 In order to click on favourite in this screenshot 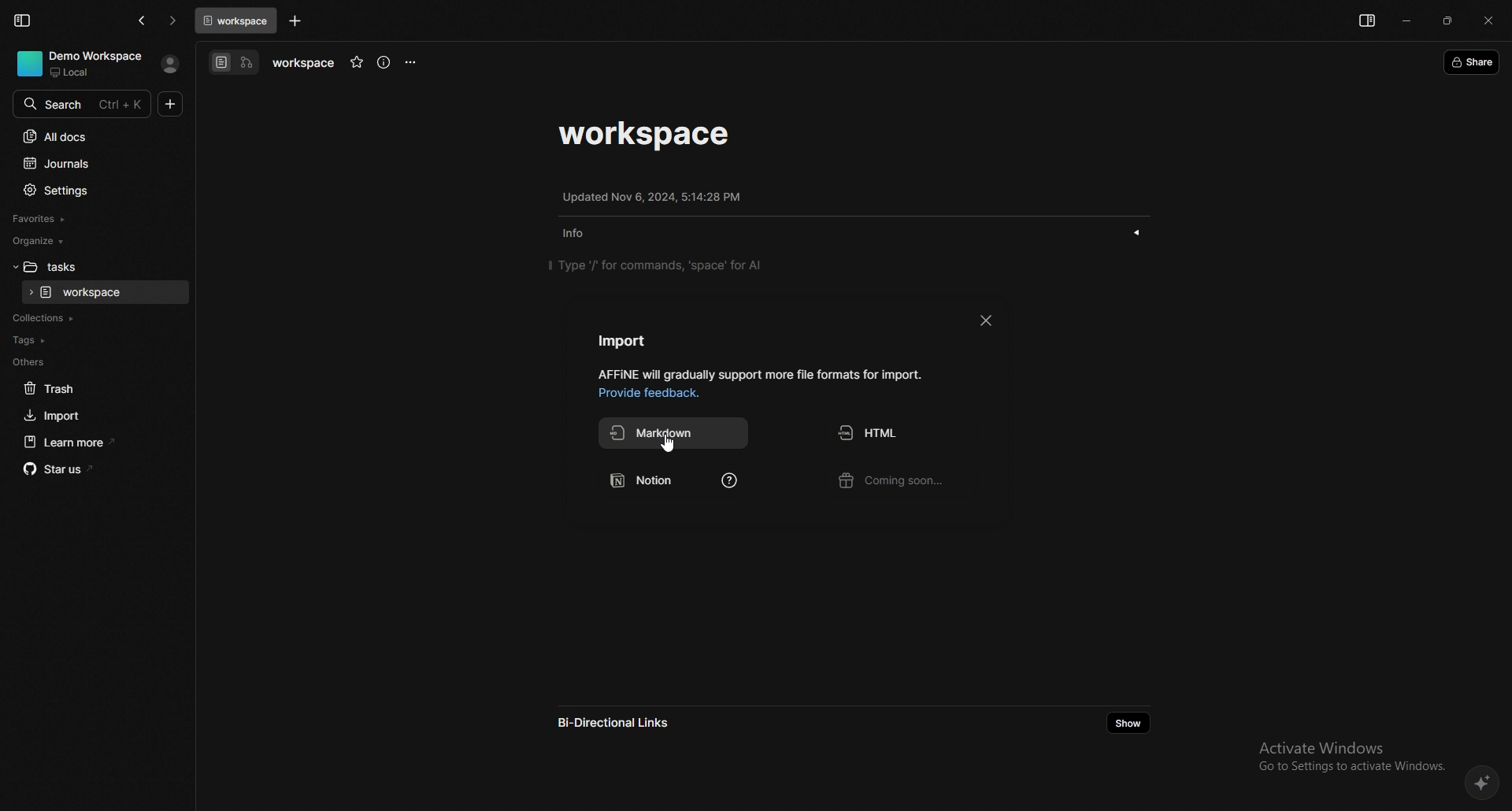, I will do `click(356, 63)`.